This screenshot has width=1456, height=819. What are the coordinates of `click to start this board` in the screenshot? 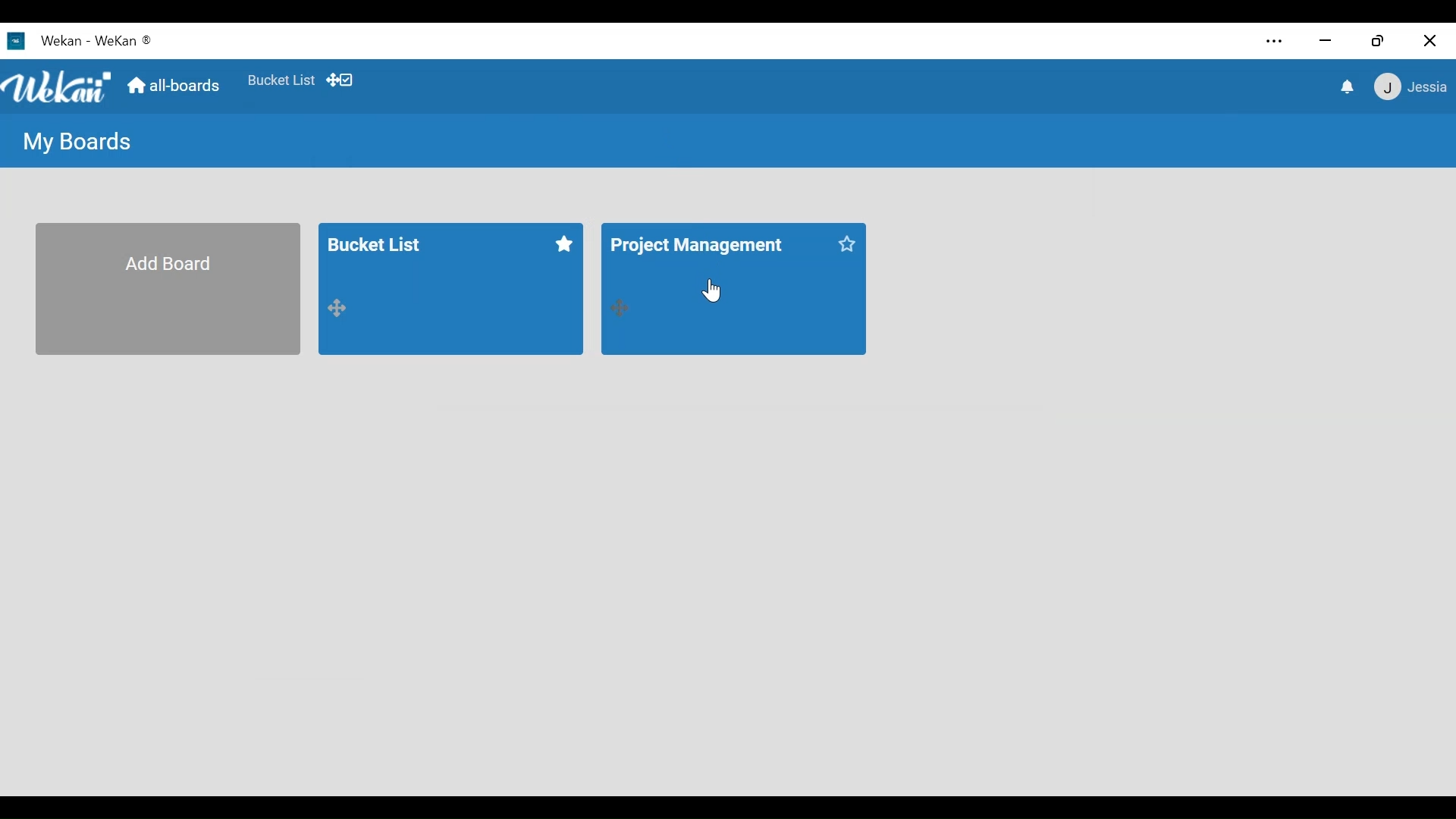 It's located at (840, 243).